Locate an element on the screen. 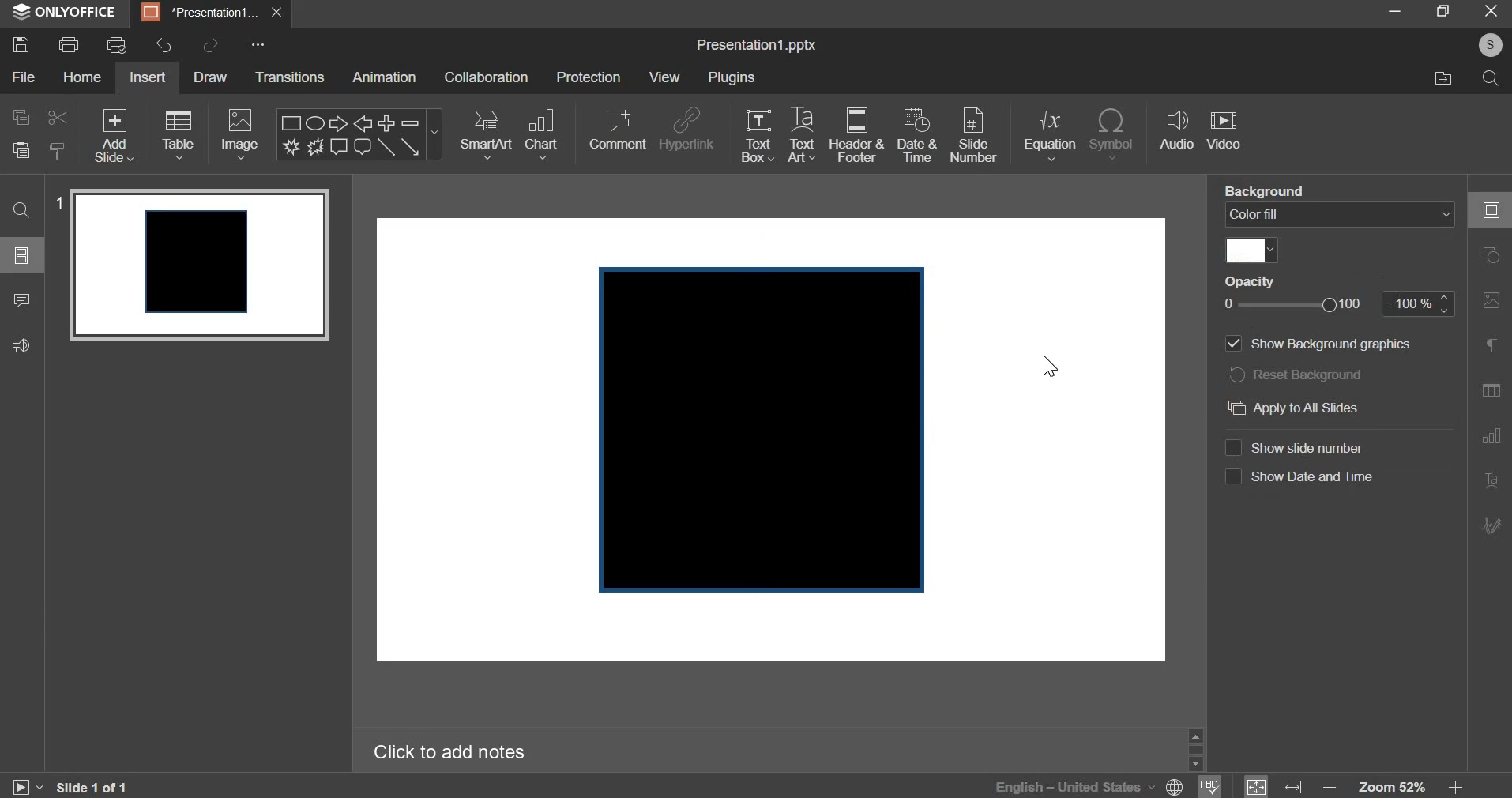 Image resolution: width=1512 pixels, height=798 pixels. paste is located at coordinates (56, 150).